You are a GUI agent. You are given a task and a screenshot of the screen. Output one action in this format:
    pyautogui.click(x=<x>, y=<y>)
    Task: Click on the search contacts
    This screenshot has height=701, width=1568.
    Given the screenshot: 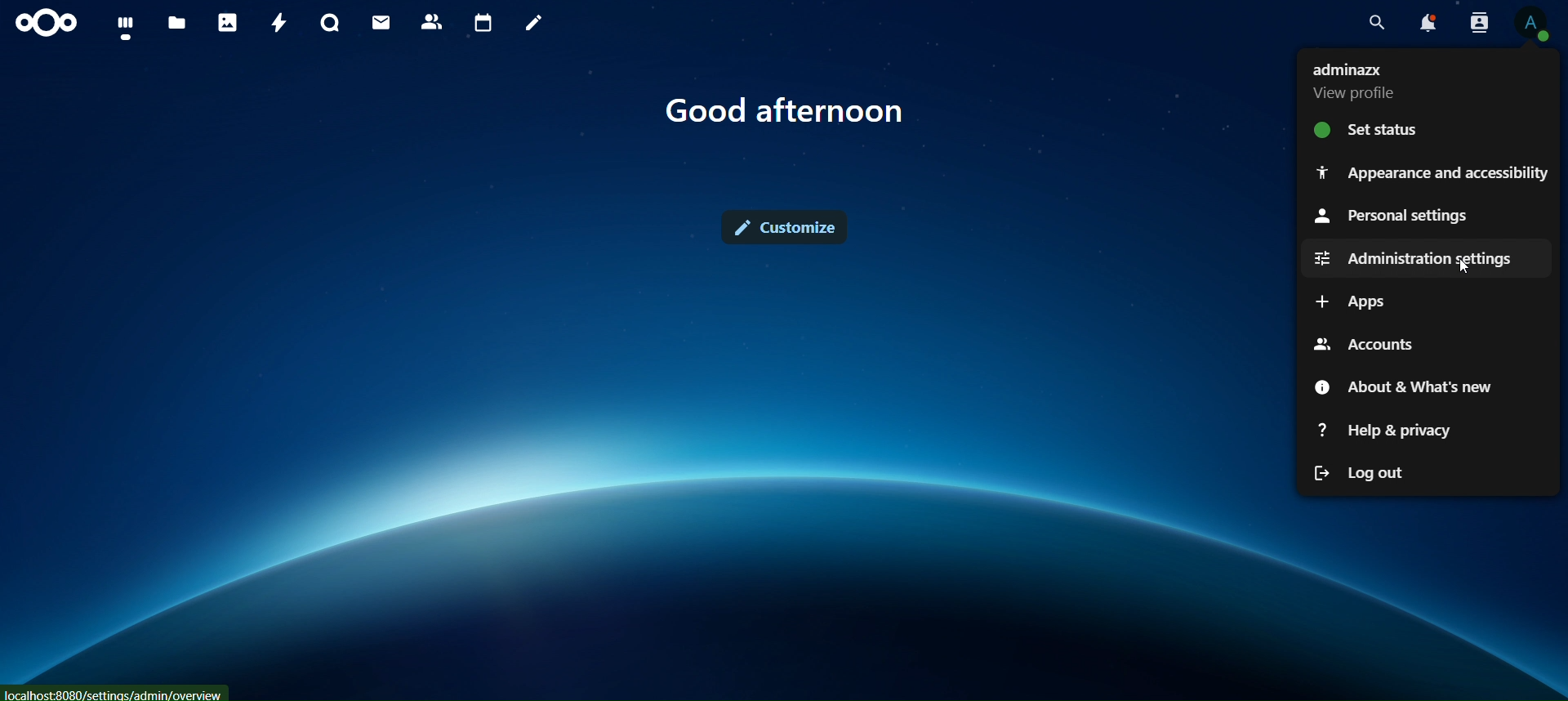 What is the action you would take?
    pyautogui.click(x=1479, y=23)
    